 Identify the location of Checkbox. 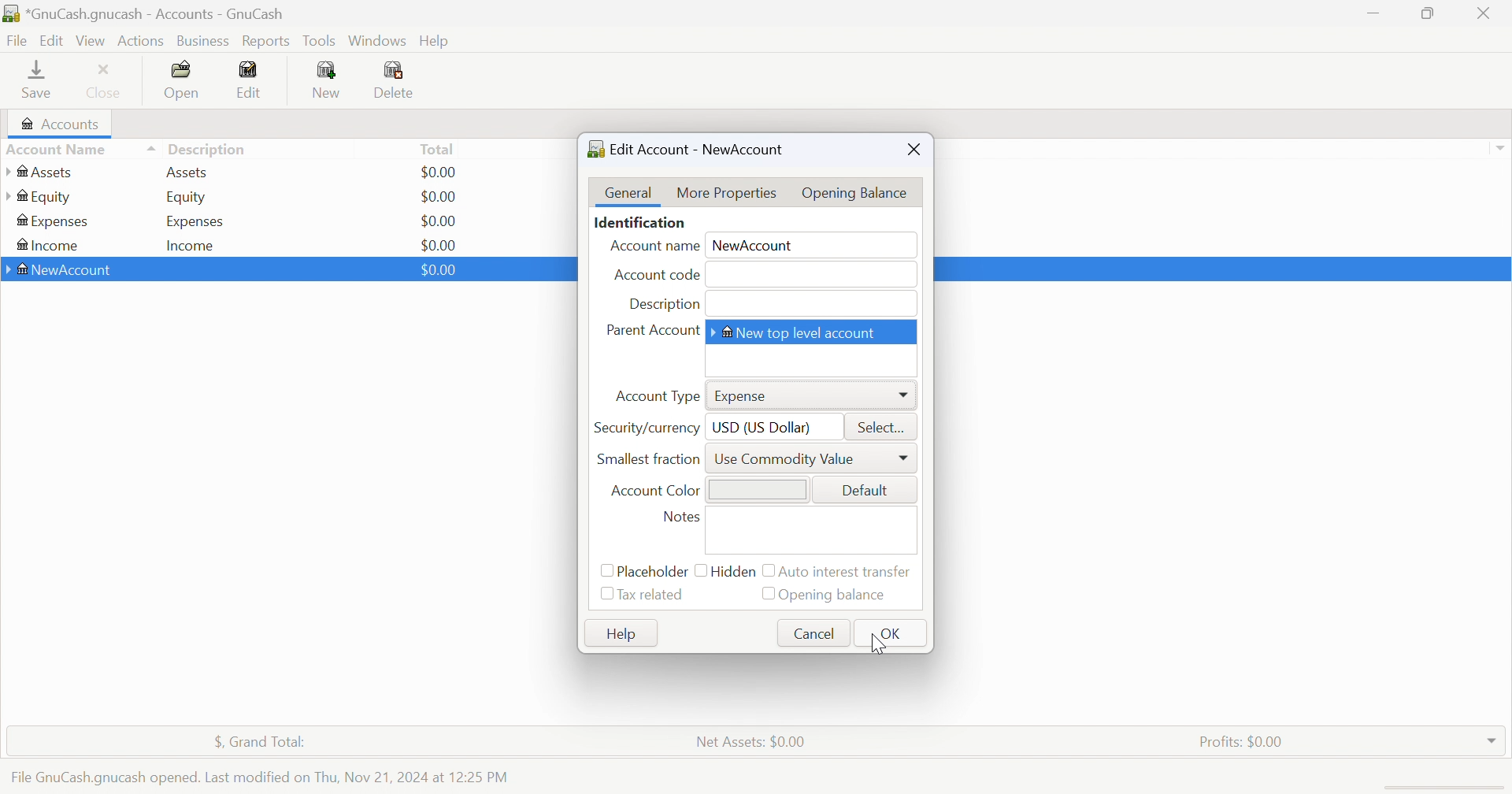
(599, 570).